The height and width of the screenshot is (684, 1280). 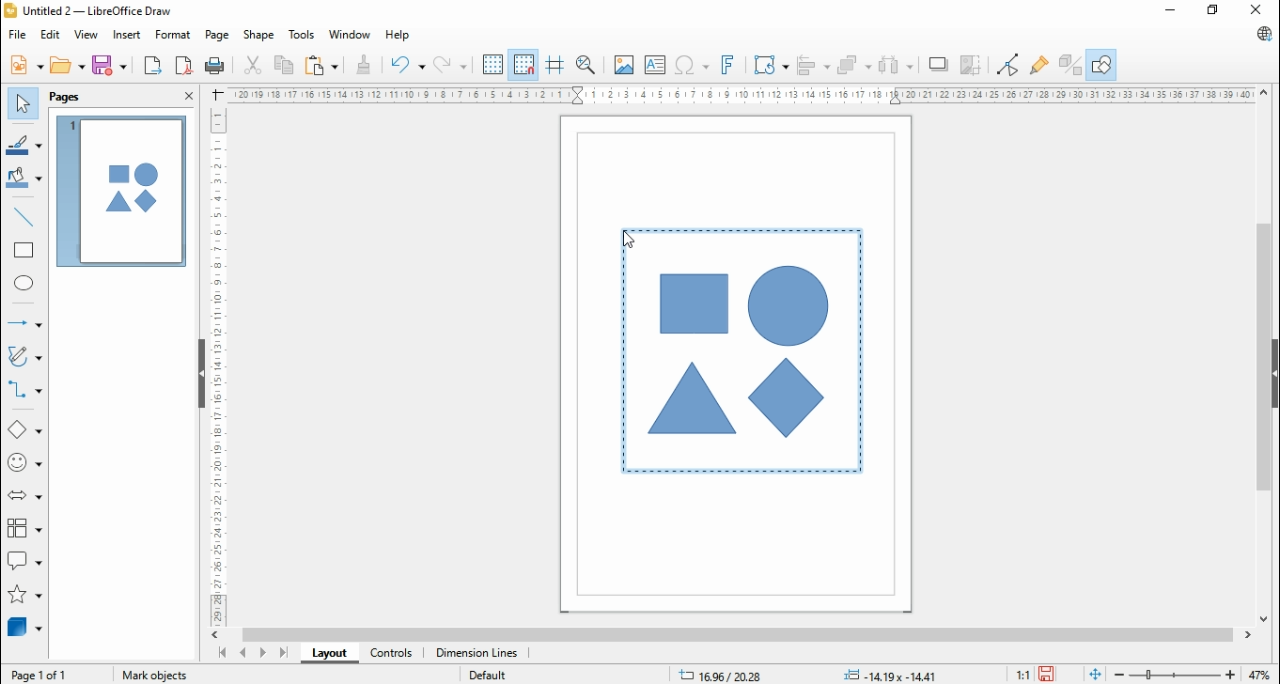 What do you see at coordinates (554, 64) in the screenshot?
I see `helplines while moving` at bounding box center [554, 64].